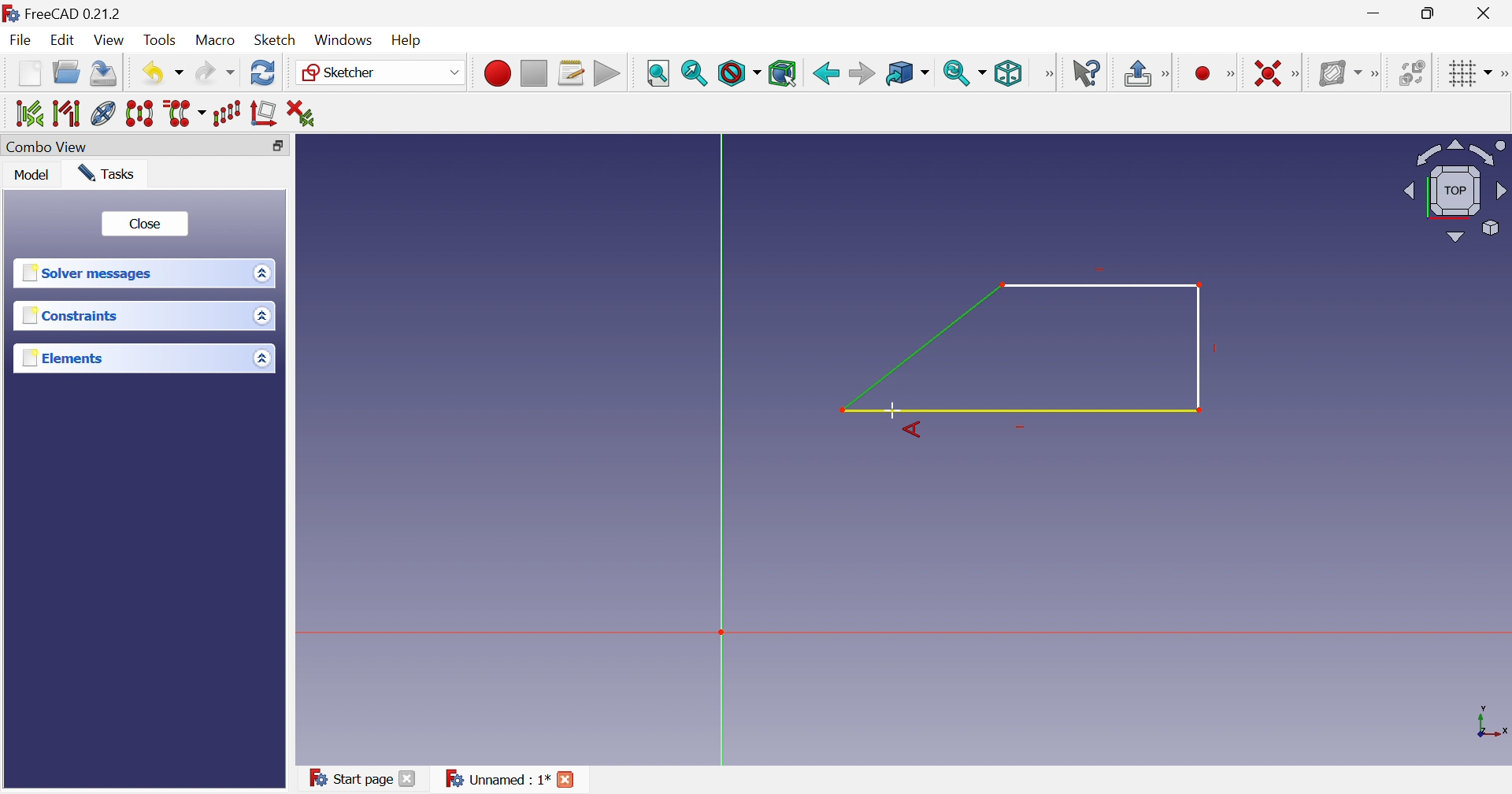  I want to click on Refresh, so click(263, 75).